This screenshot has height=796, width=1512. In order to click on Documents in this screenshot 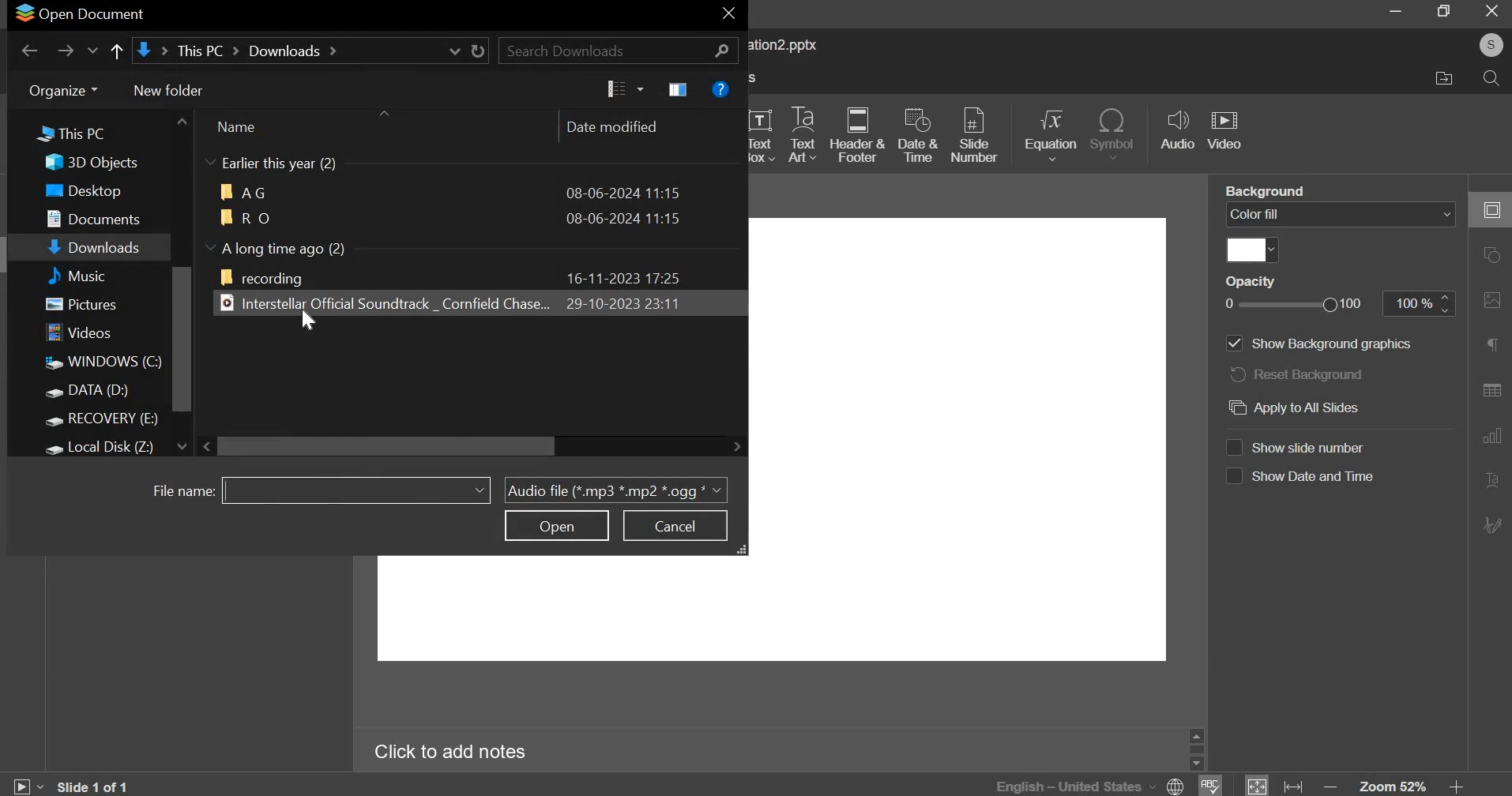, I will do `click(92, 218)`.